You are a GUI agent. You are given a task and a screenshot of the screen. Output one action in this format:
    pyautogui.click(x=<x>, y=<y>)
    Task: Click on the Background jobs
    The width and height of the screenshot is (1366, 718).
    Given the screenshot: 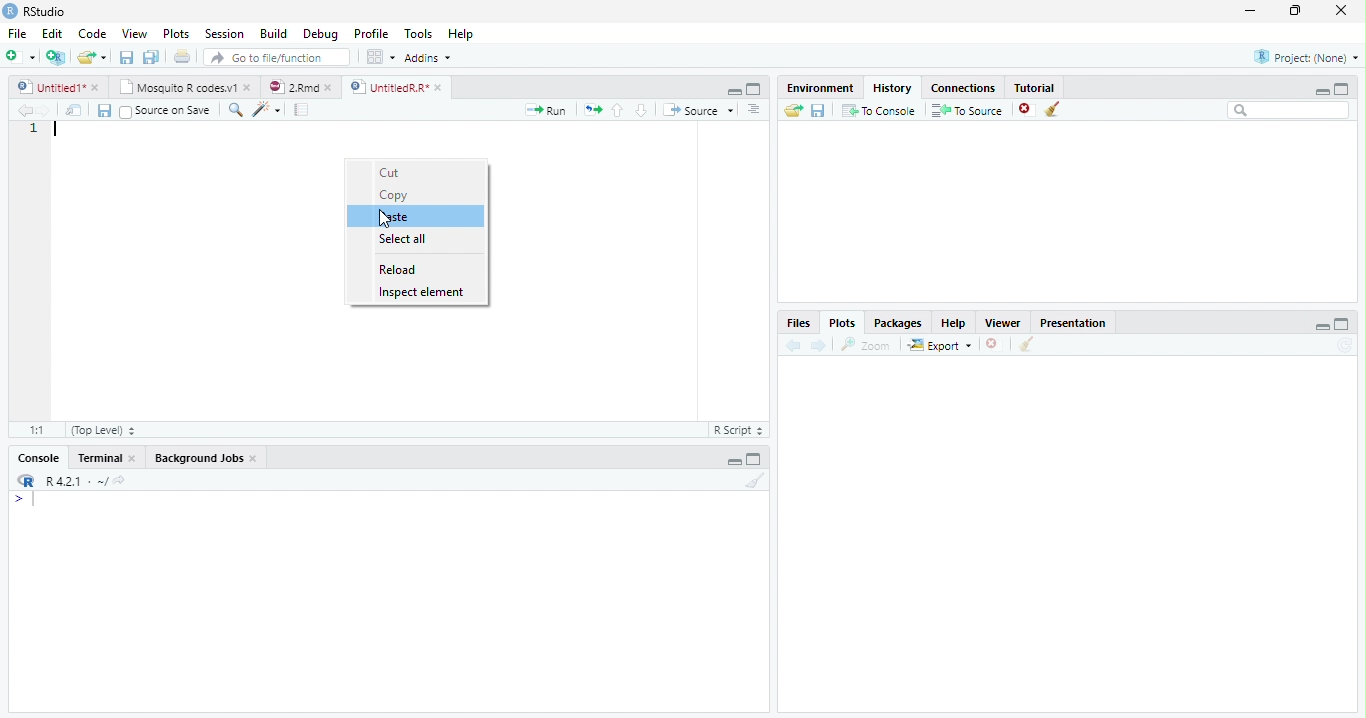 What is the action you would take?
    pyautogui.click(x=206, y=458)
    